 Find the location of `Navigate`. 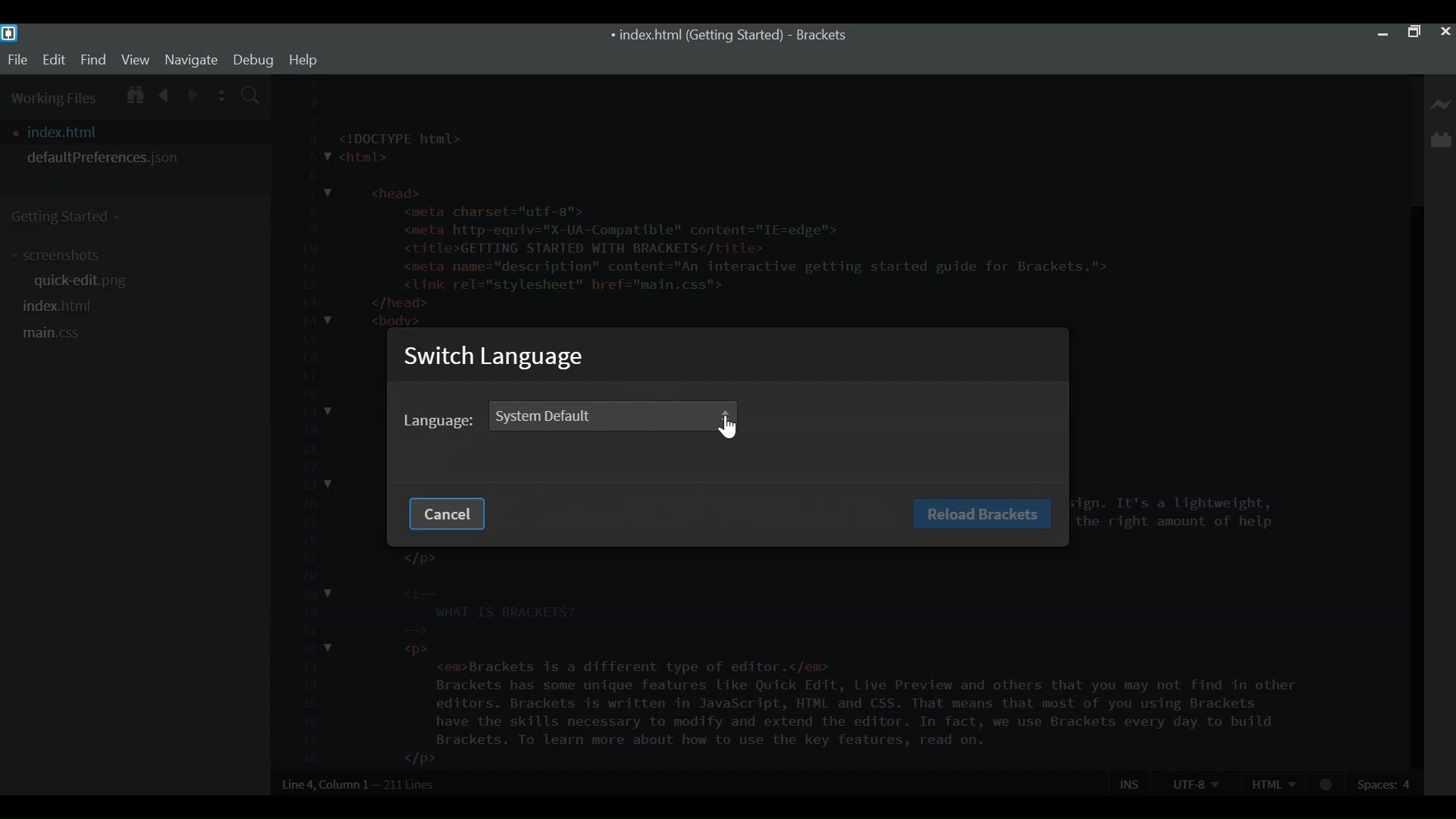

Navigate is located at coordinates (190, 59).